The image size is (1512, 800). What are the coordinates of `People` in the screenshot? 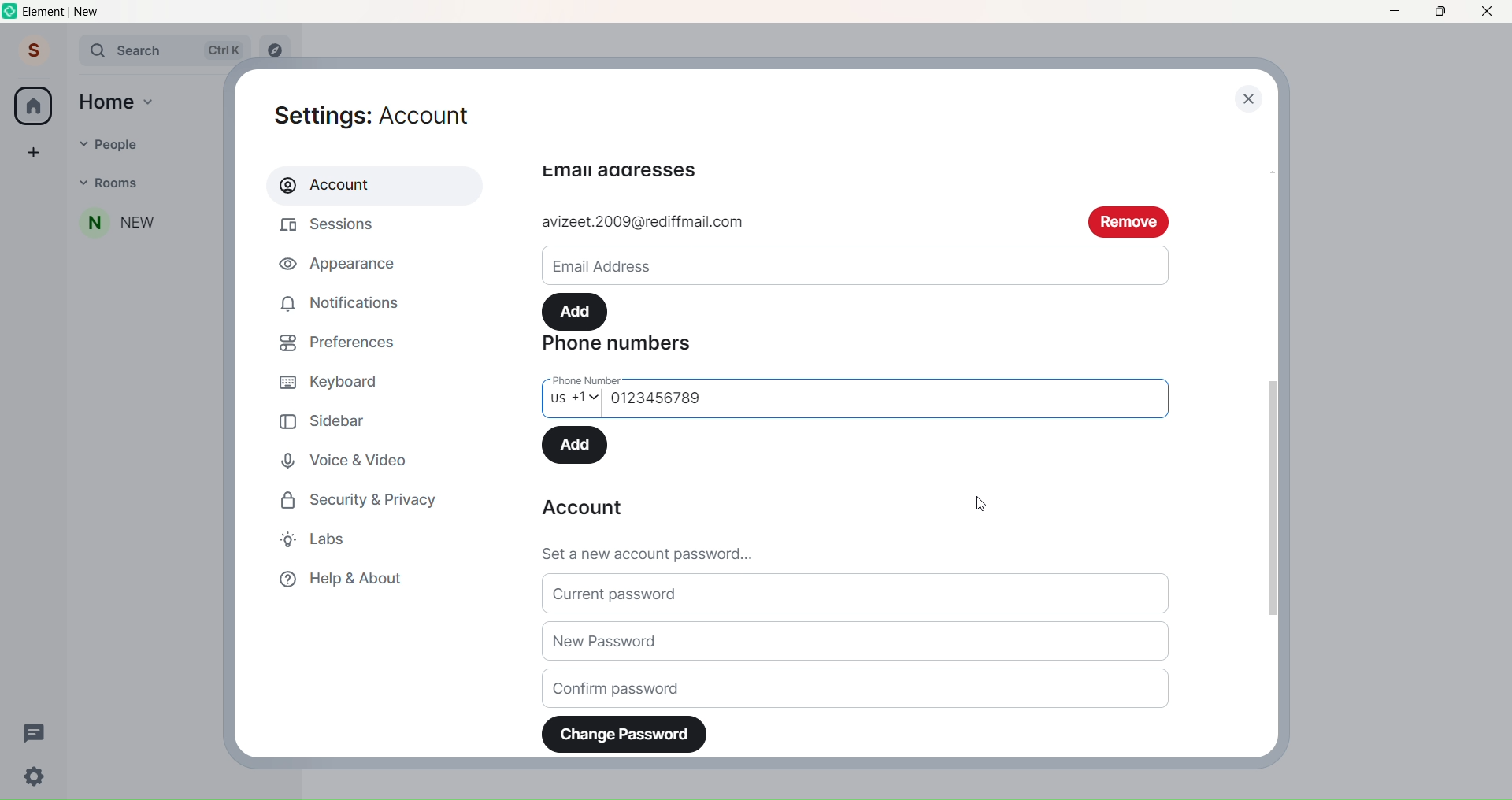 It's located at (154, 142).